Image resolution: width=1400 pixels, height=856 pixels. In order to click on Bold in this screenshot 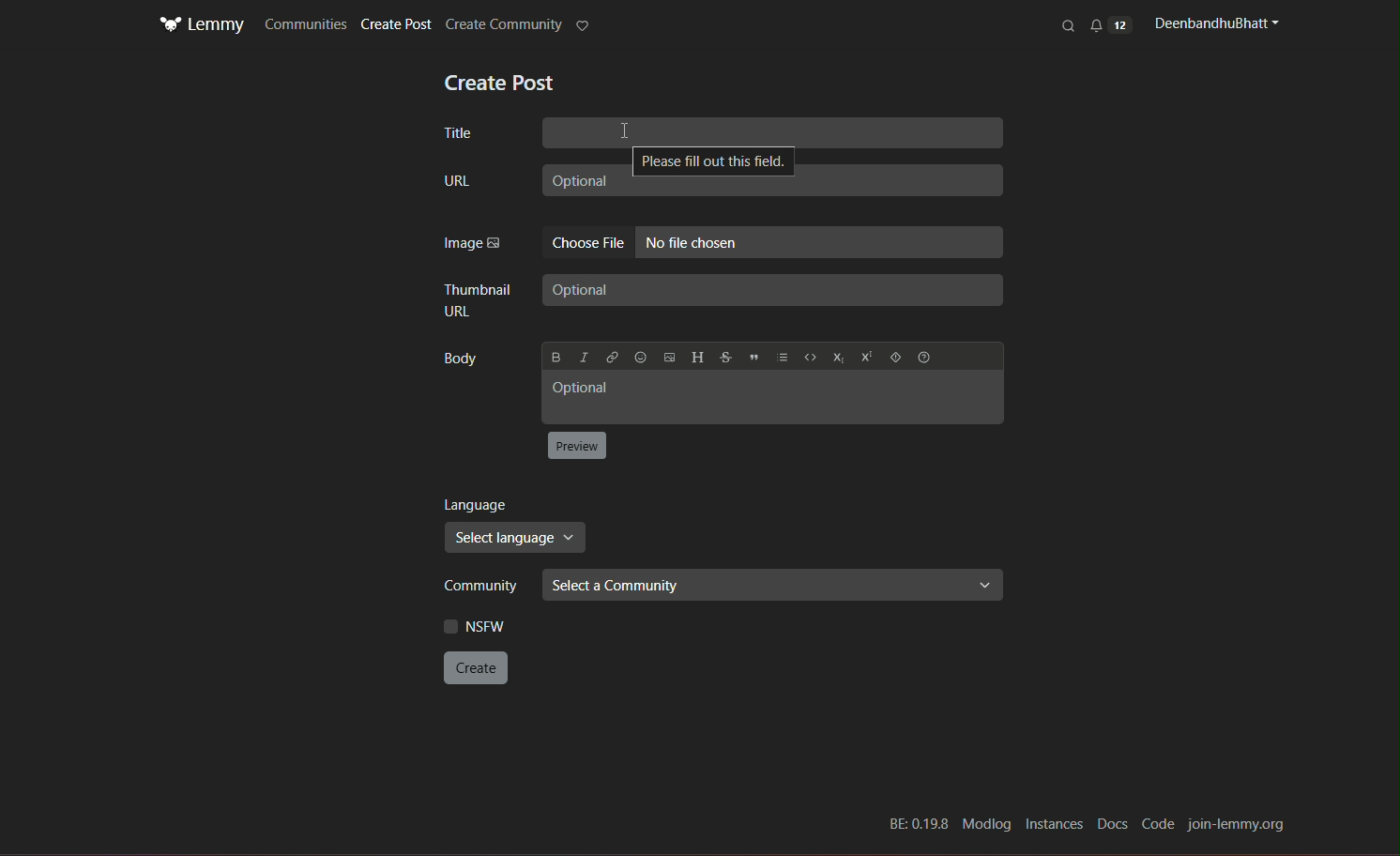, I will do `click(556, 357)`.